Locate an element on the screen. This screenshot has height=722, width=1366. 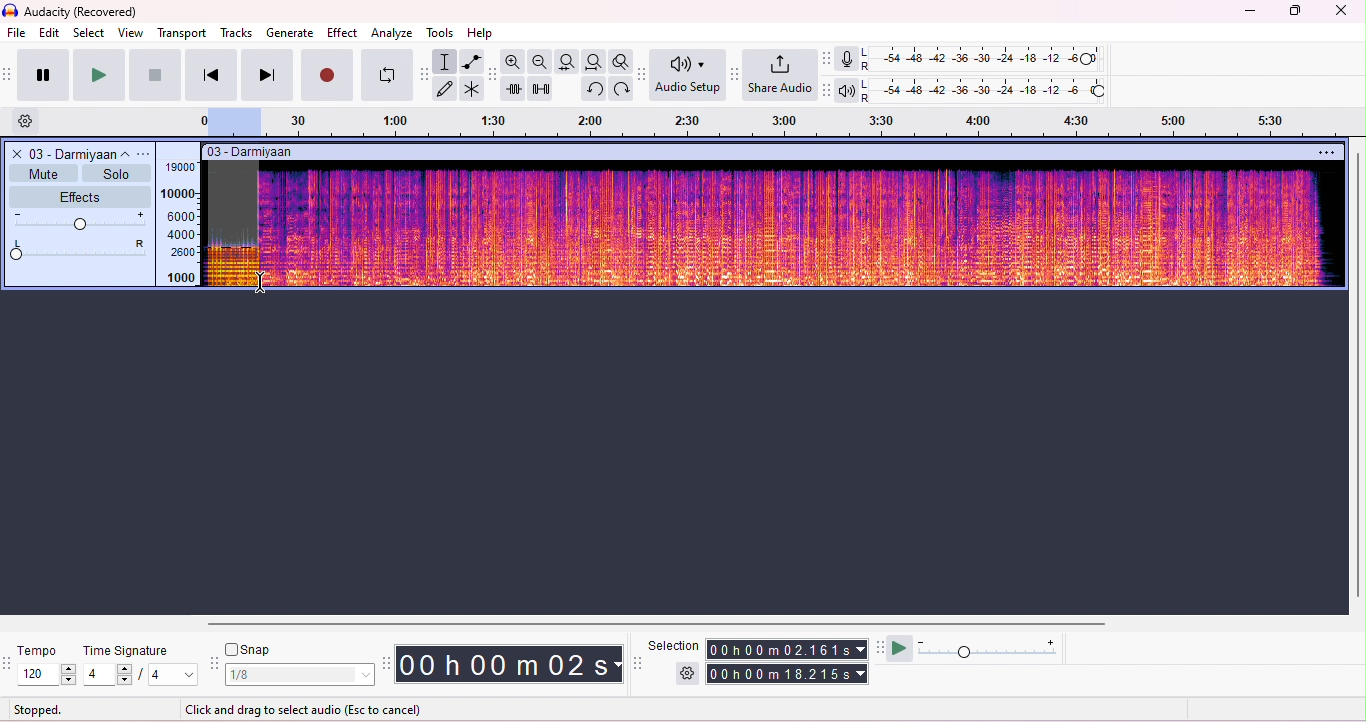
vertical scroll bar is located at coordinates (1357, 376).